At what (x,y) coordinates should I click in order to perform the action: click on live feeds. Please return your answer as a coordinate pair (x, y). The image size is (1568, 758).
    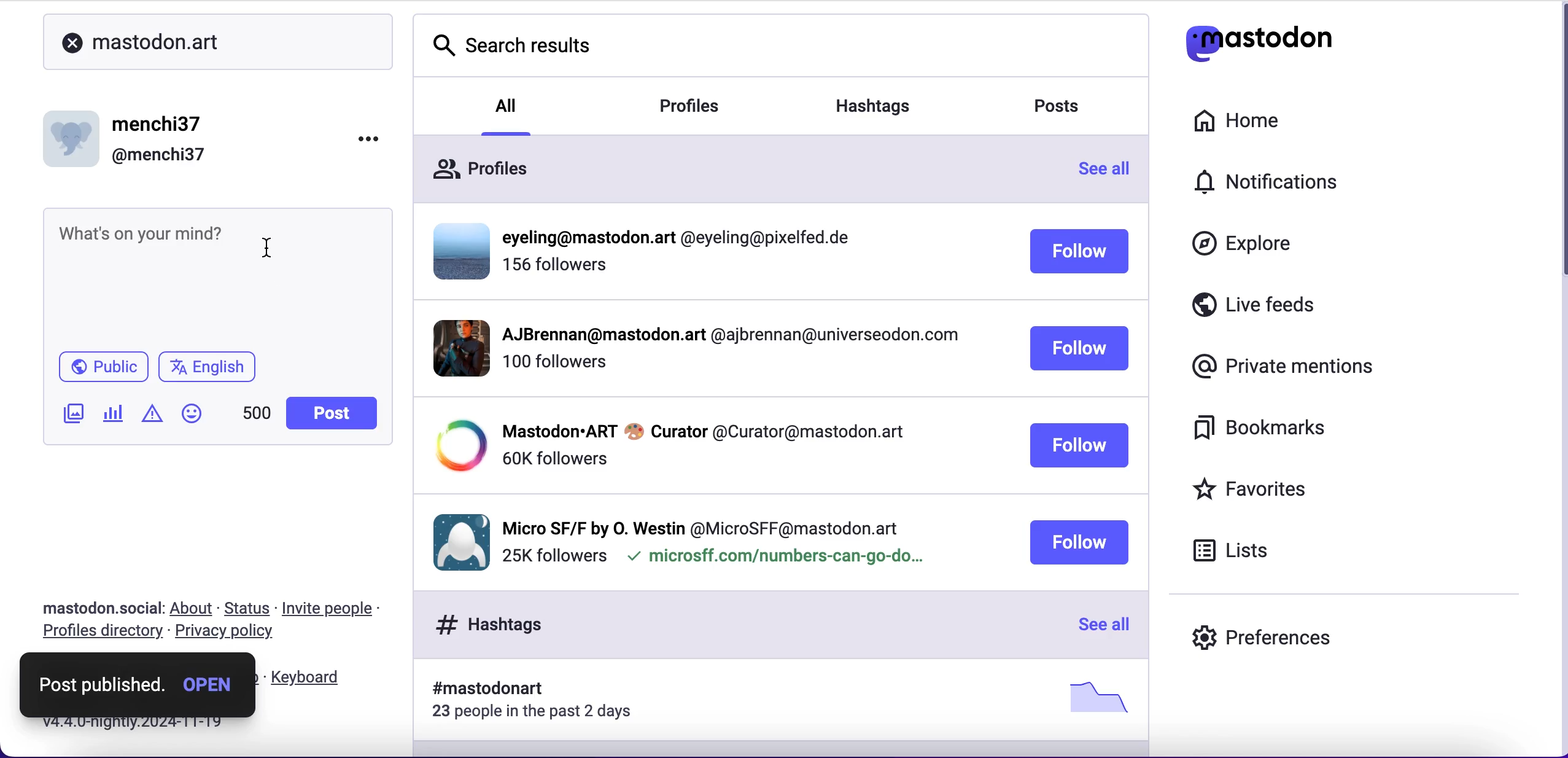
    Looking at the image, I should click on (1297, 305).